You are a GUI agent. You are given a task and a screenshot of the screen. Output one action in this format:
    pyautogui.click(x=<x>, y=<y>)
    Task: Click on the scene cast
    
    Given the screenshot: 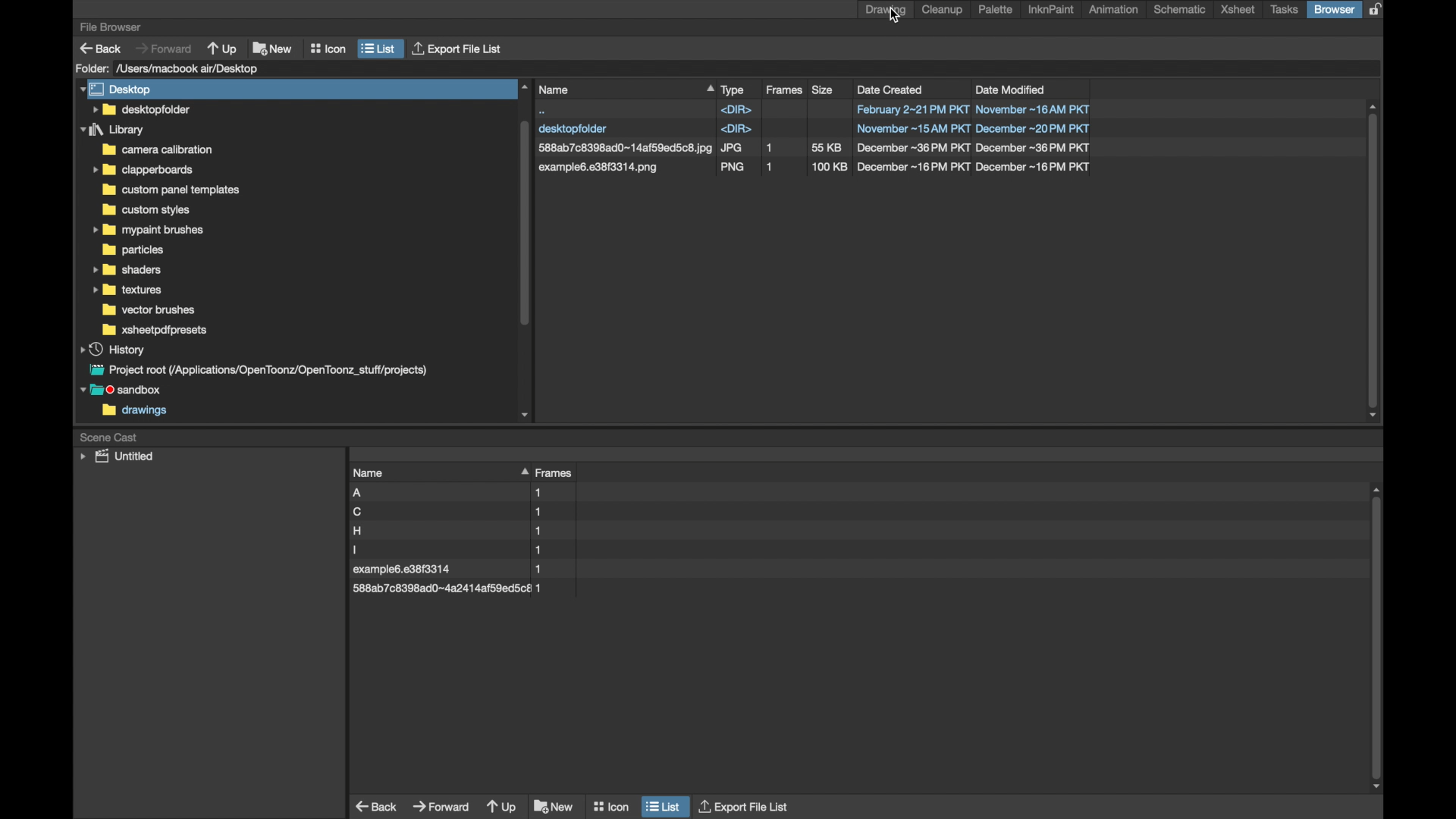 What is the action you would take?
    pyautogui.click(x=109, y=436)
    